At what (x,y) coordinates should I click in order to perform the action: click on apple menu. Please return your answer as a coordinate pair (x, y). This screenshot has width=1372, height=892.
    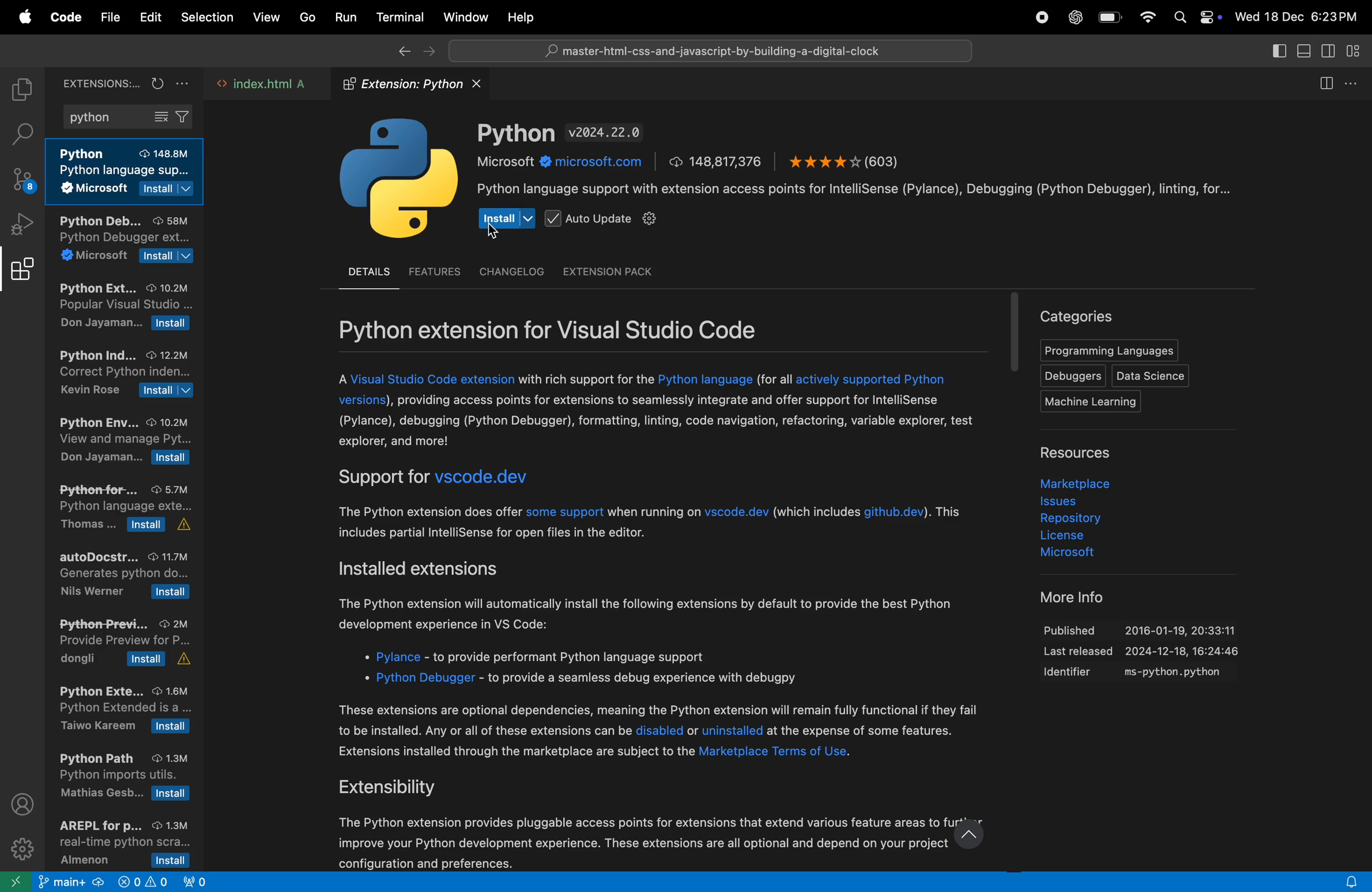
    Looking at the image, I should click on (21, 17).